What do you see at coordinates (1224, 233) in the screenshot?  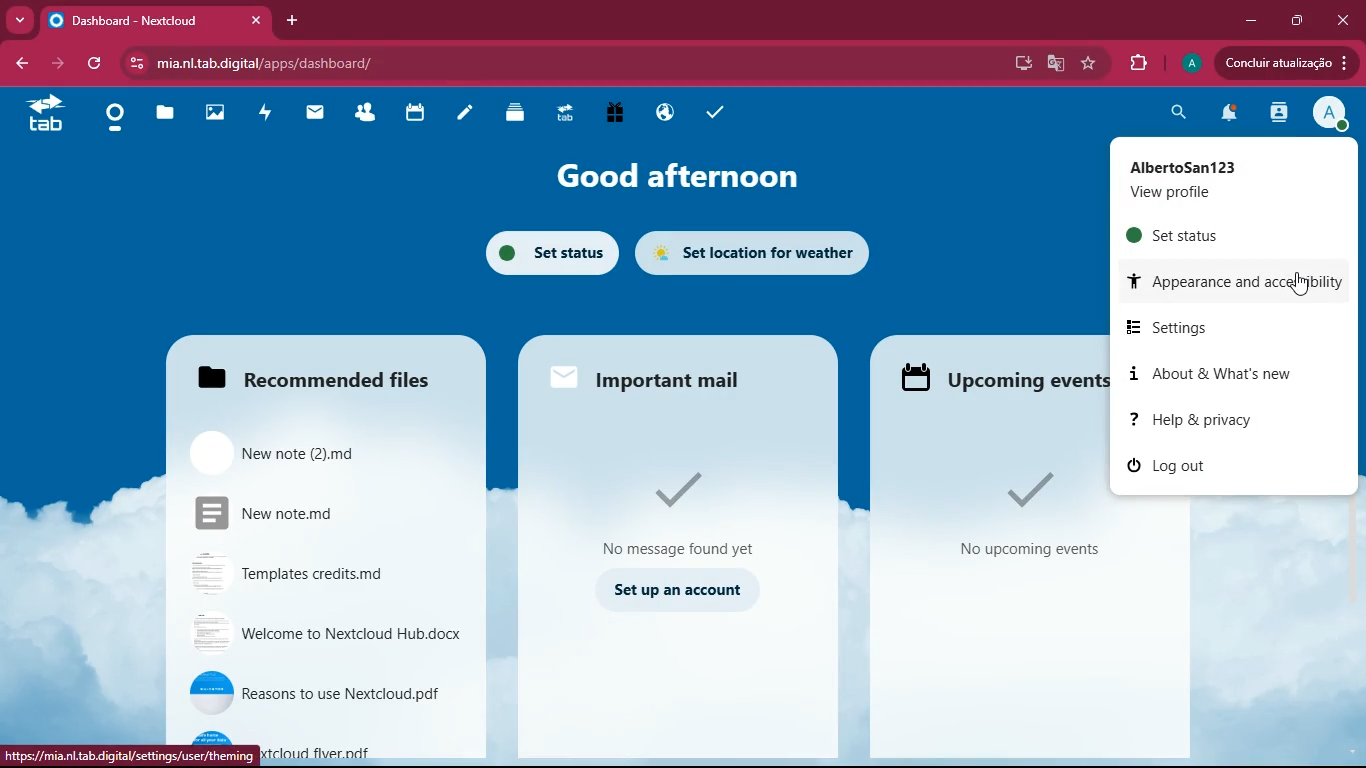 I see `set status` at bounding box center [1224, 233].